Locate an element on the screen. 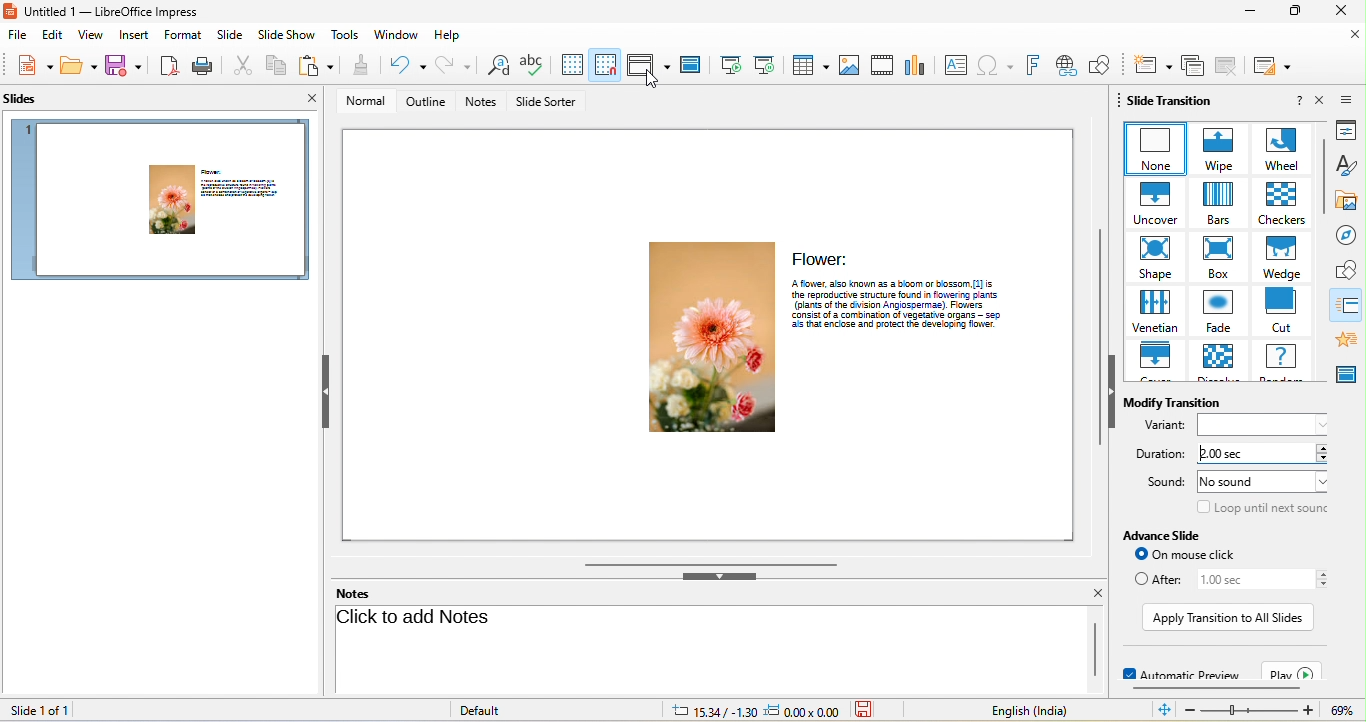  normal is located at coordinates (363, 102).